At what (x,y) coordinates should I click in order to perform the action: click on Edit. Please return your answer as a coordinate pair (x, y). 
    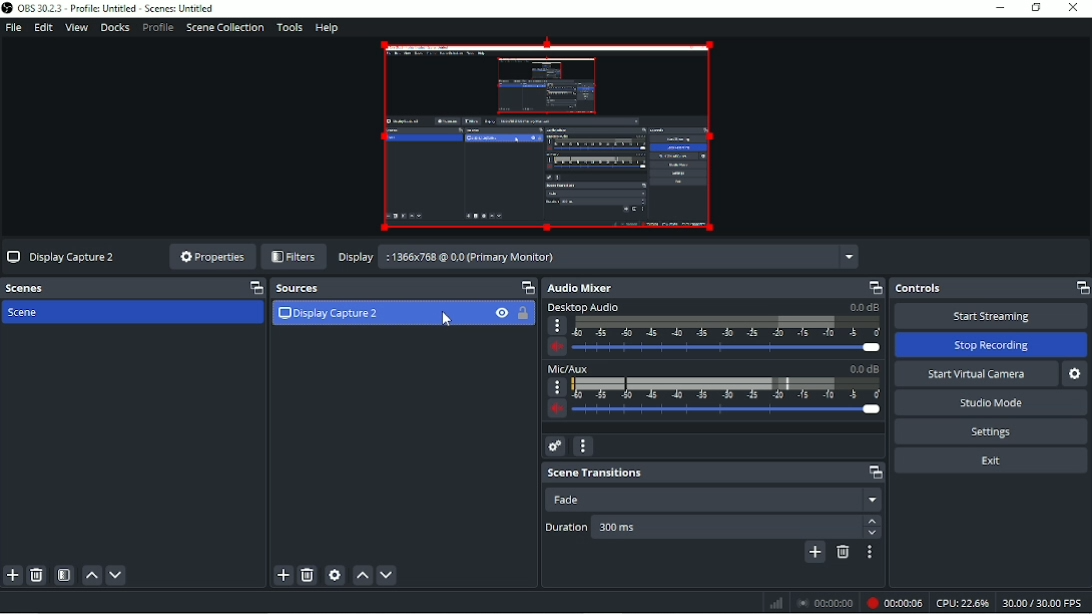
    Looking at the image, I should click on (43, 28).